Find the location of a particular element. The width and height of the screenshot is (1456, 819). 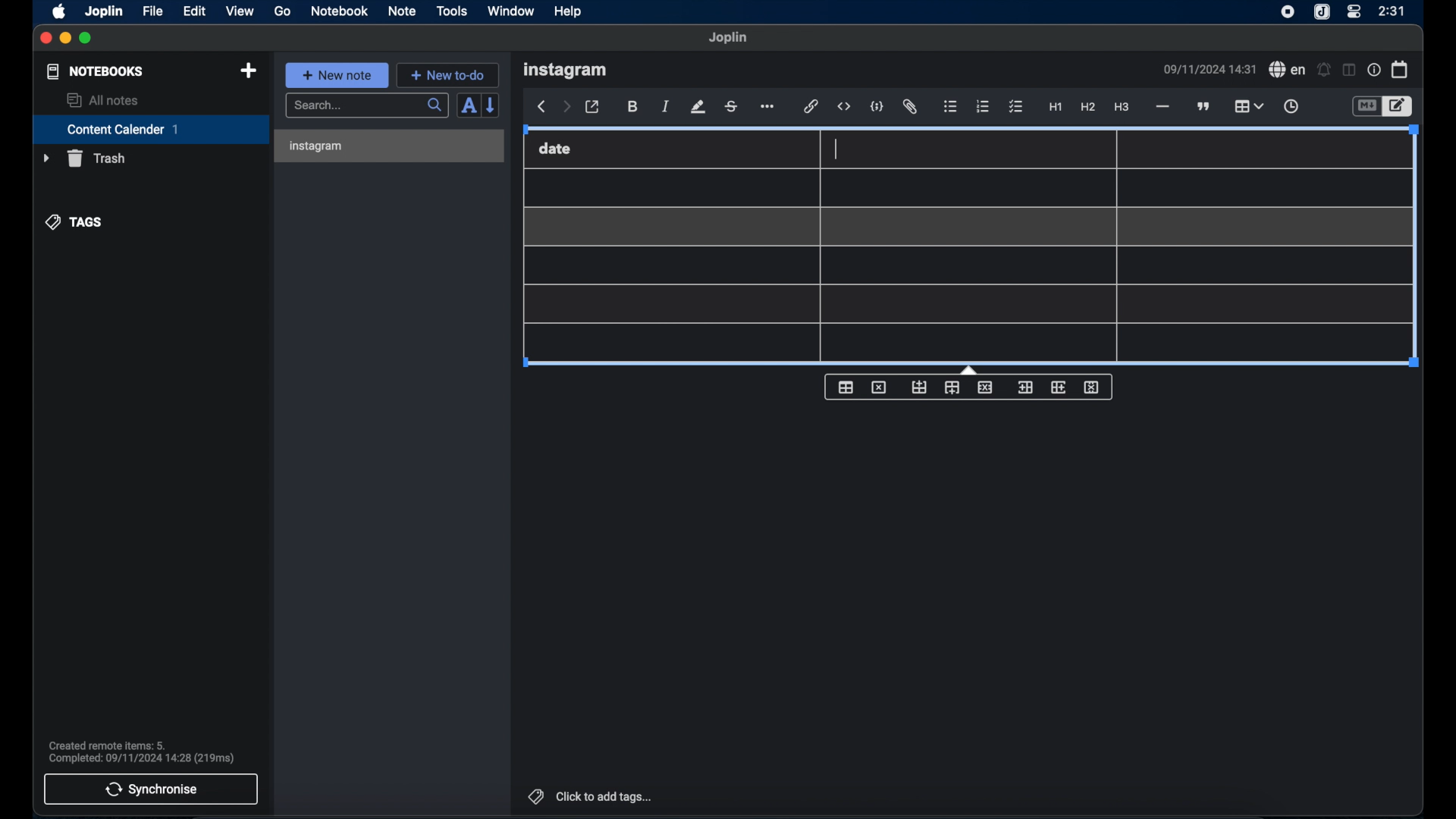

joplin icon is located at coordinates (1321, 12).